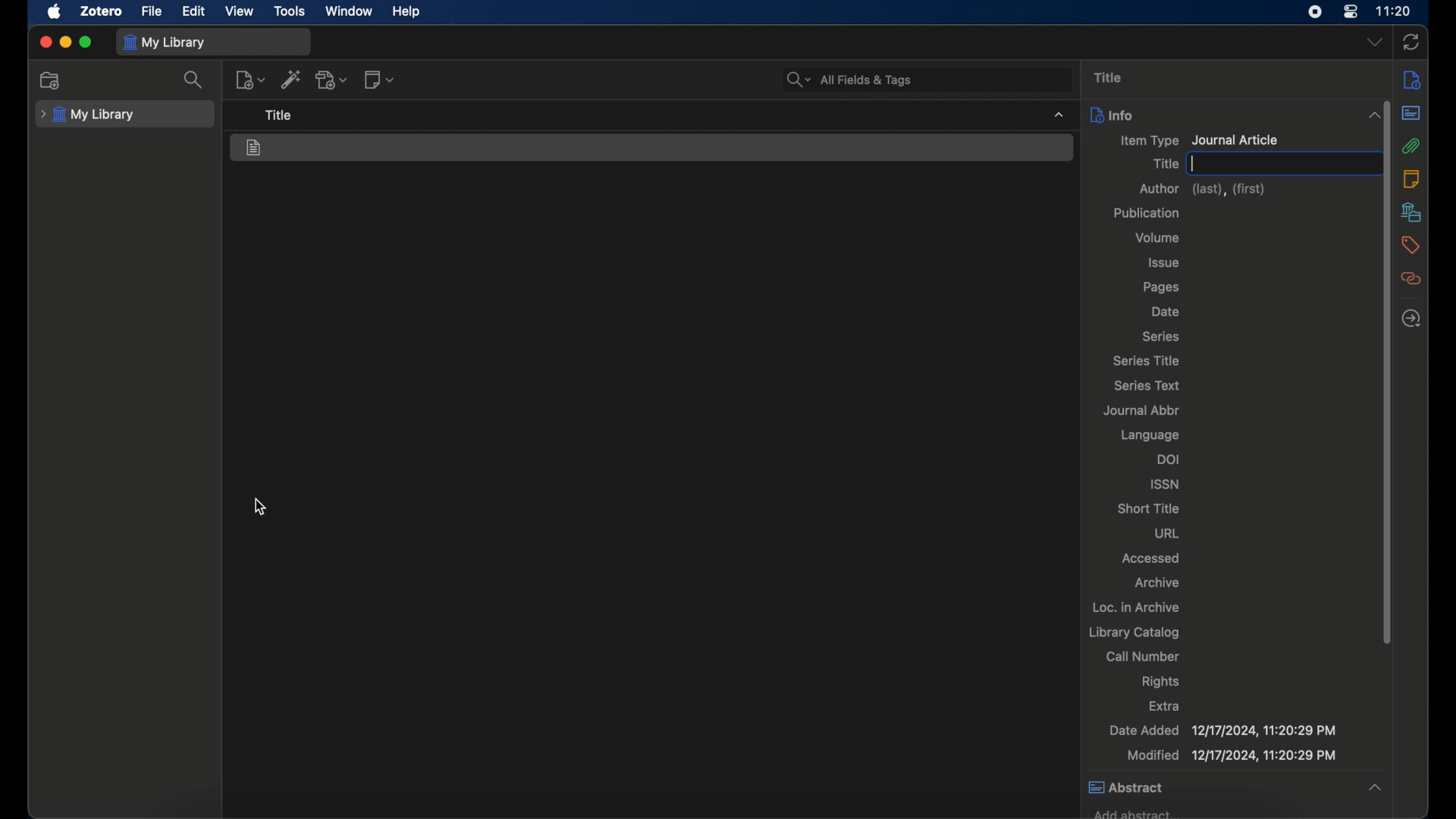 This screenshot has width=1456, height=819. What do you see at coordinates (1234, 755) in the screenshot?
I see `modified` at bounding box center [1234, 755].